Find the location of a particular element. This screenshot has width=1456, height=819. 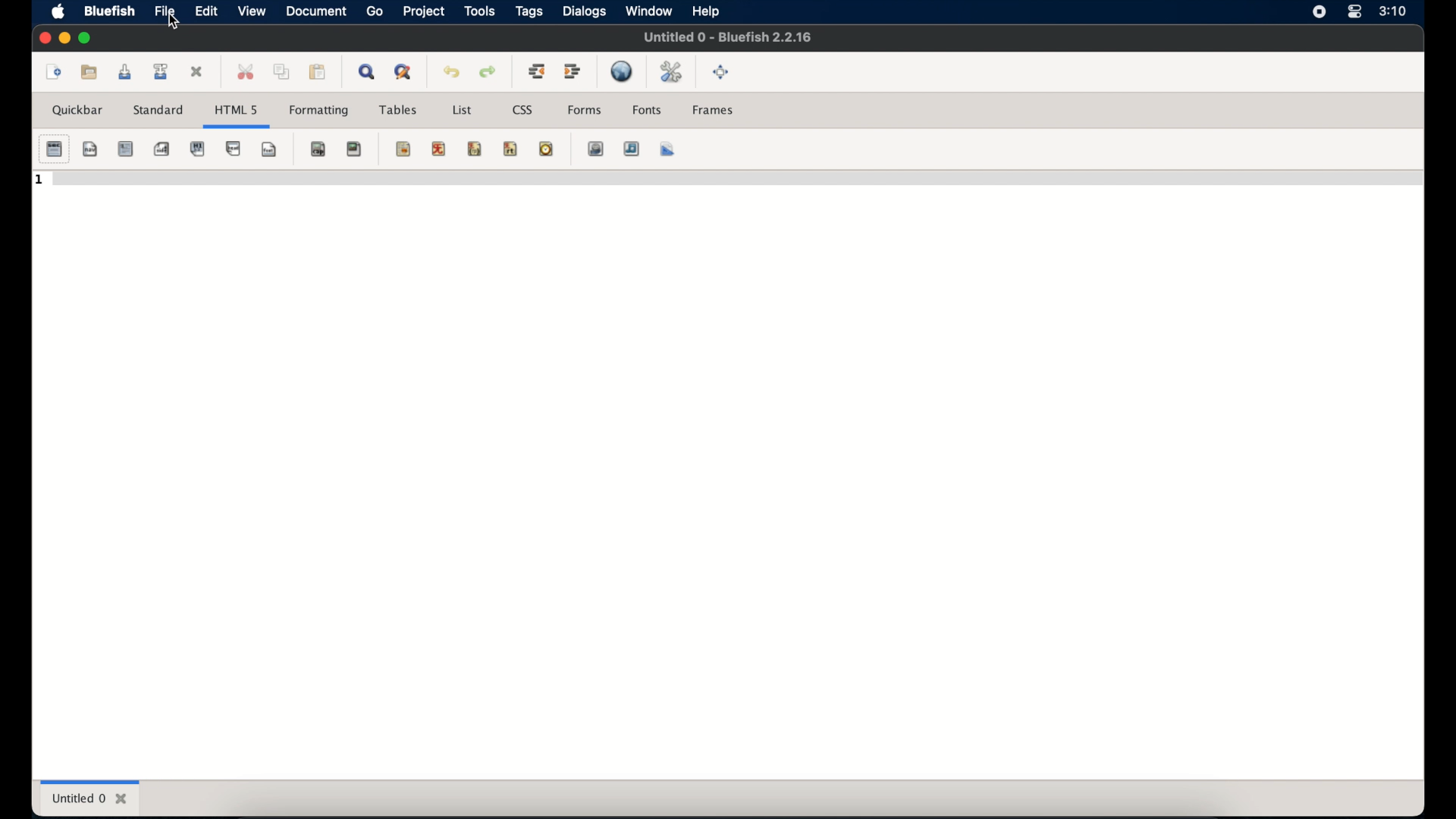

view is located at coordinates (251, 11).